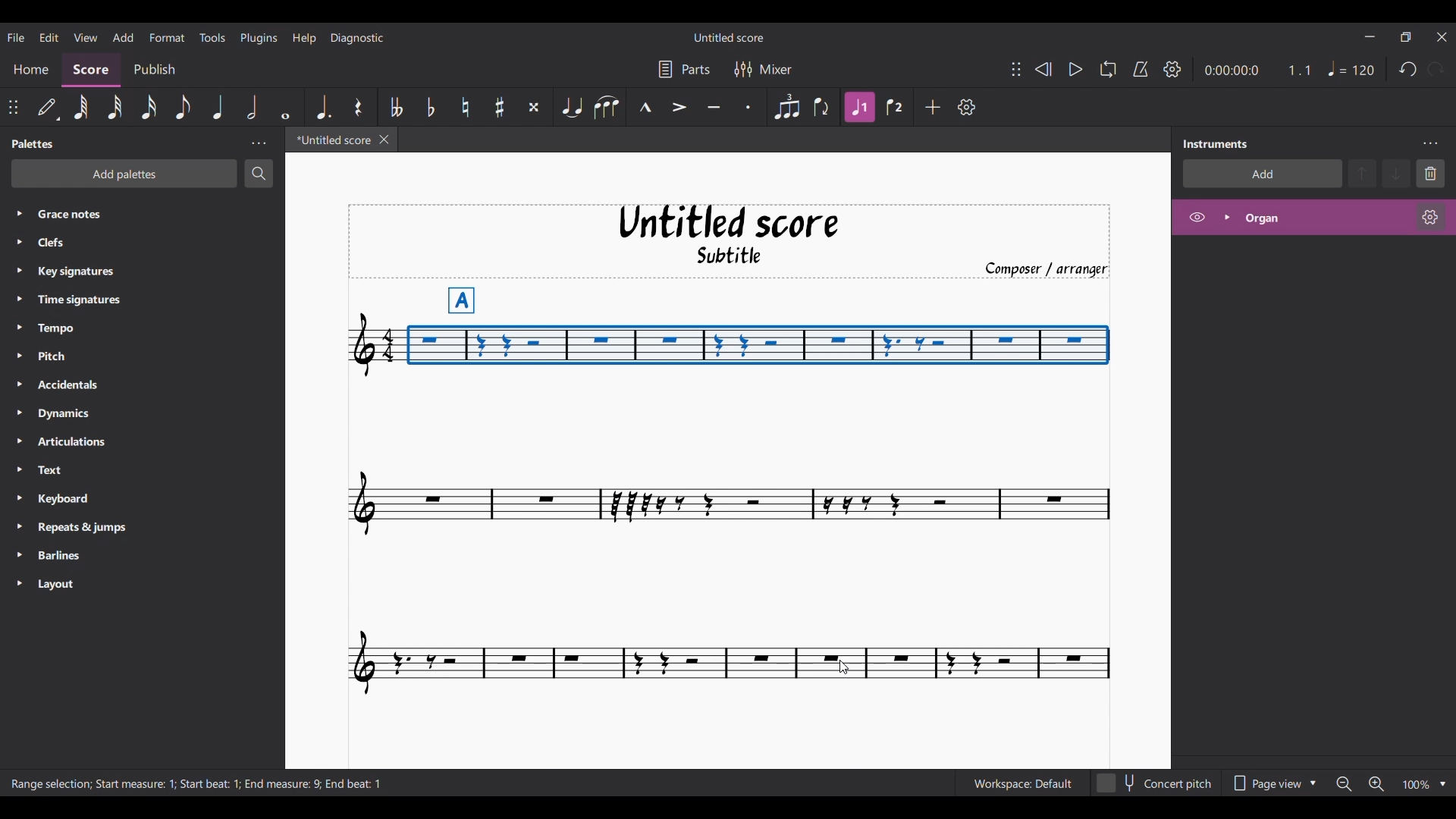 The height and width of the screenshot is (819, 1456). What do you see at coordinates (431, 107) in the screenshot?
I see `Toggle flat` at bounding box center [431, 107].